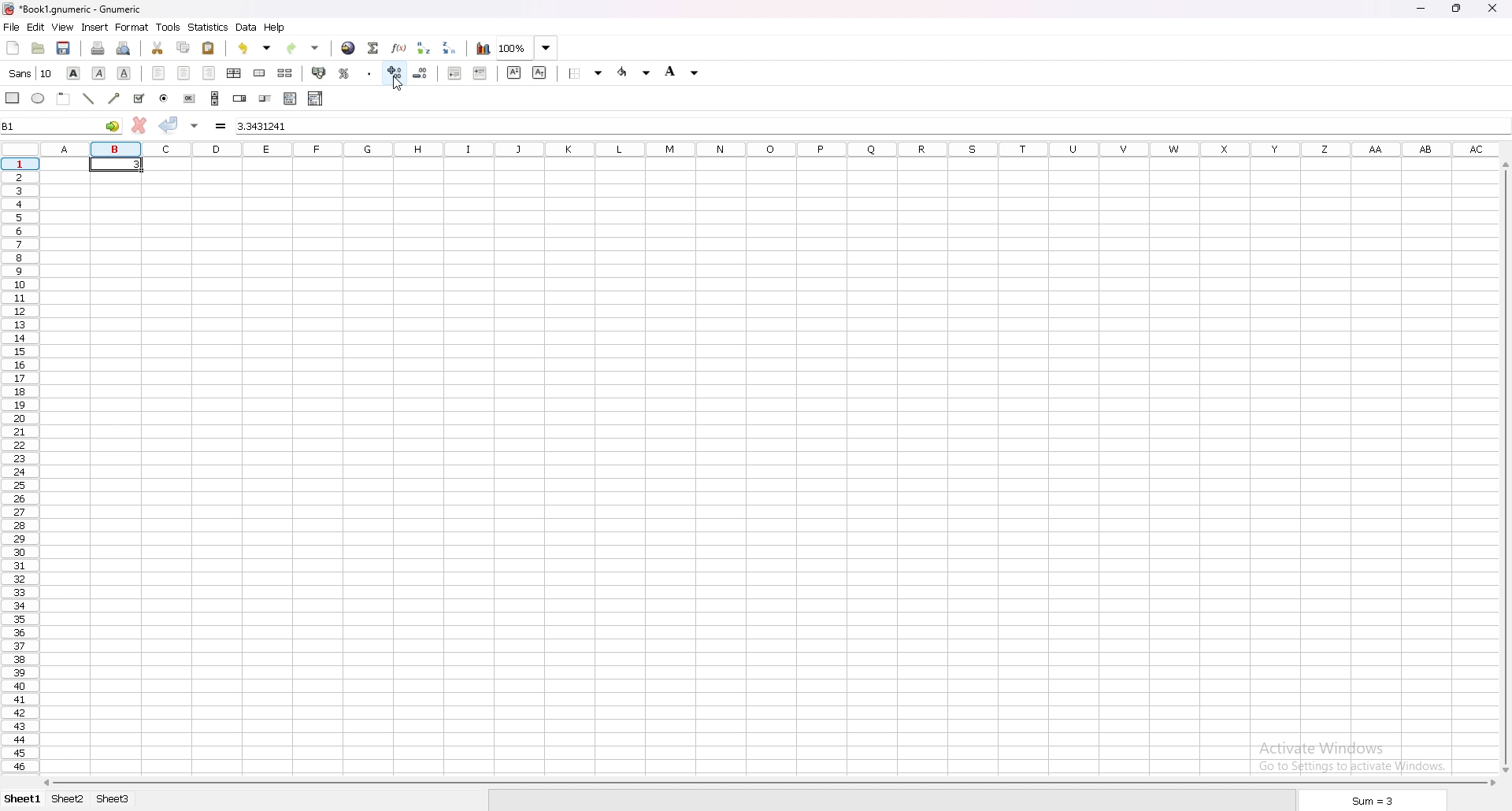 The height and width of the screenshot is (811, 1512). What do you see at coordinates (424, 48) in the screenshot?
I see `sort ascending` at bounding box center [424, 48].